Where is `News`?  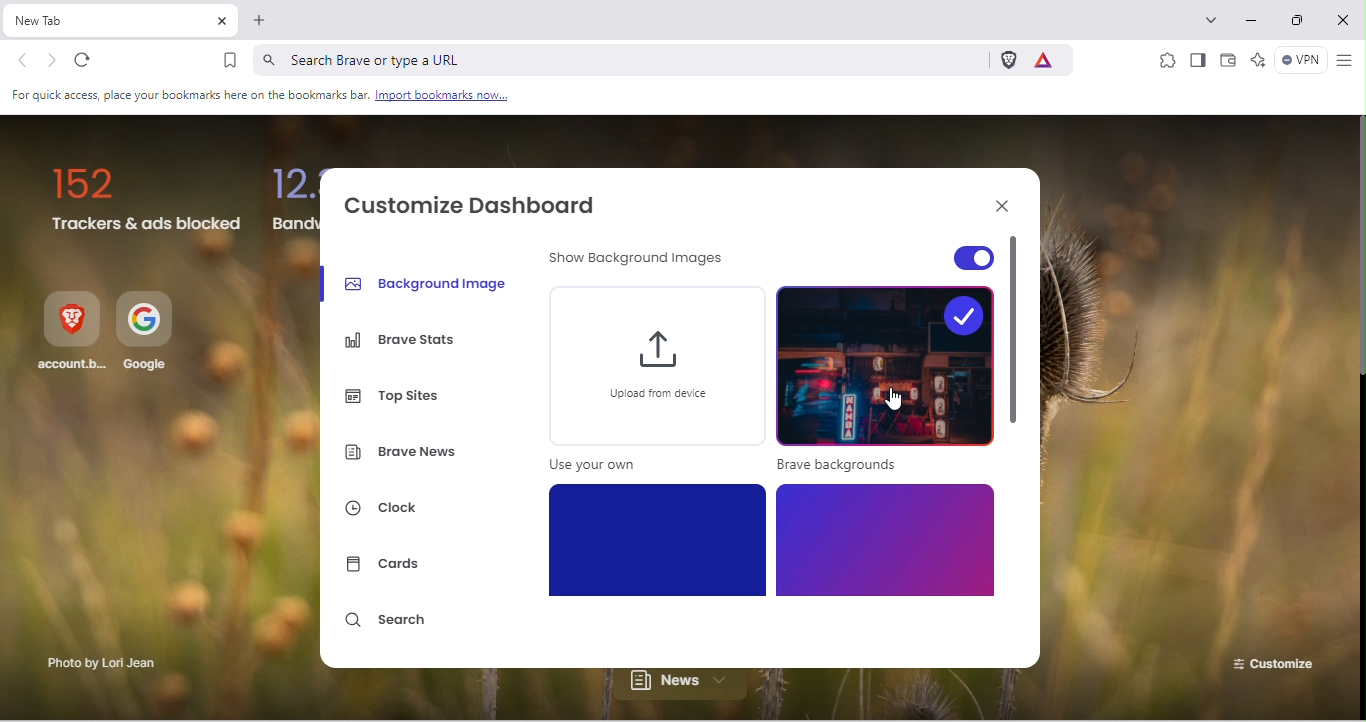 News is located at coordinates (689, 687).